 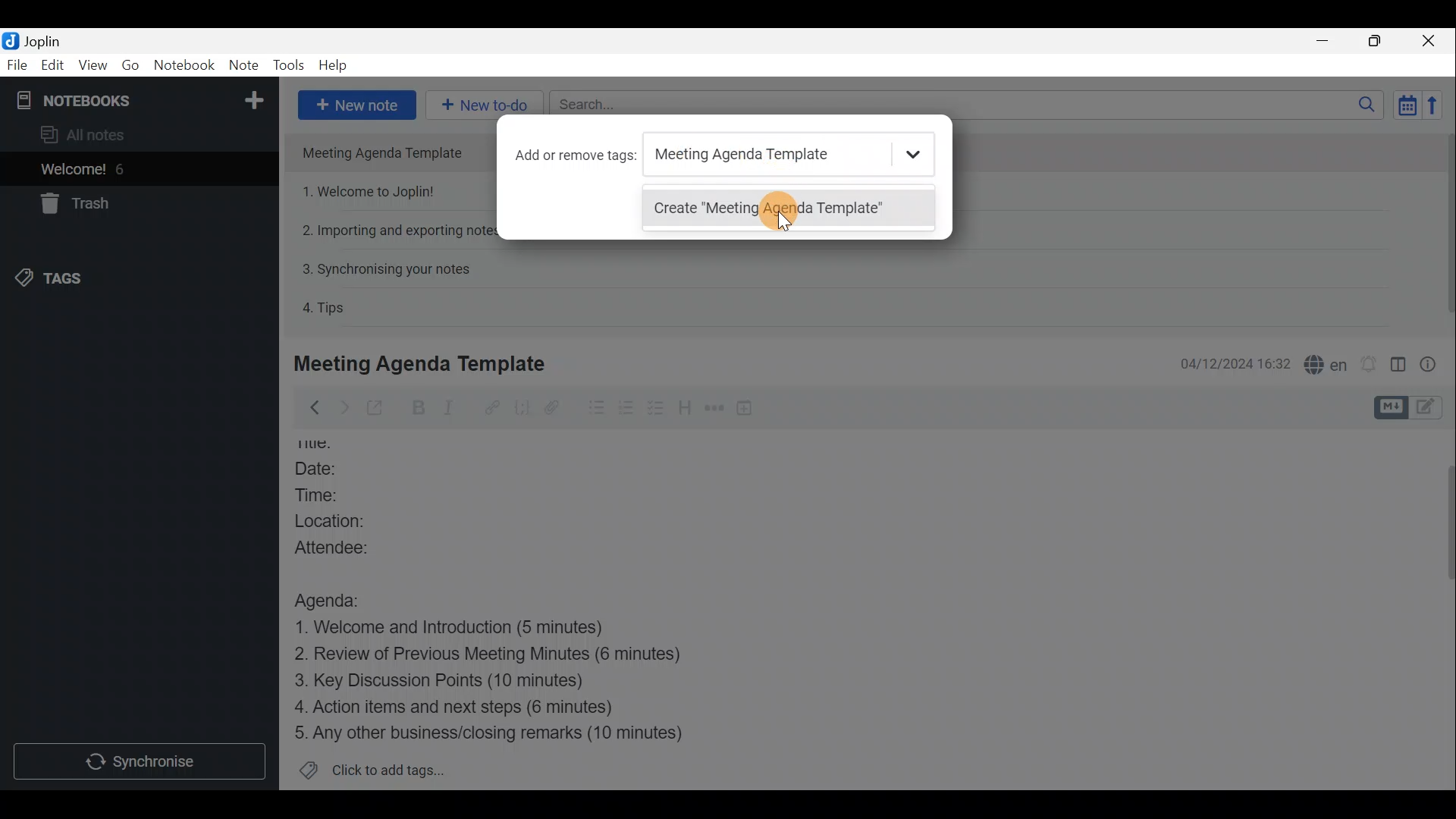 I want to click on Edit, so click(x=53, y=67).